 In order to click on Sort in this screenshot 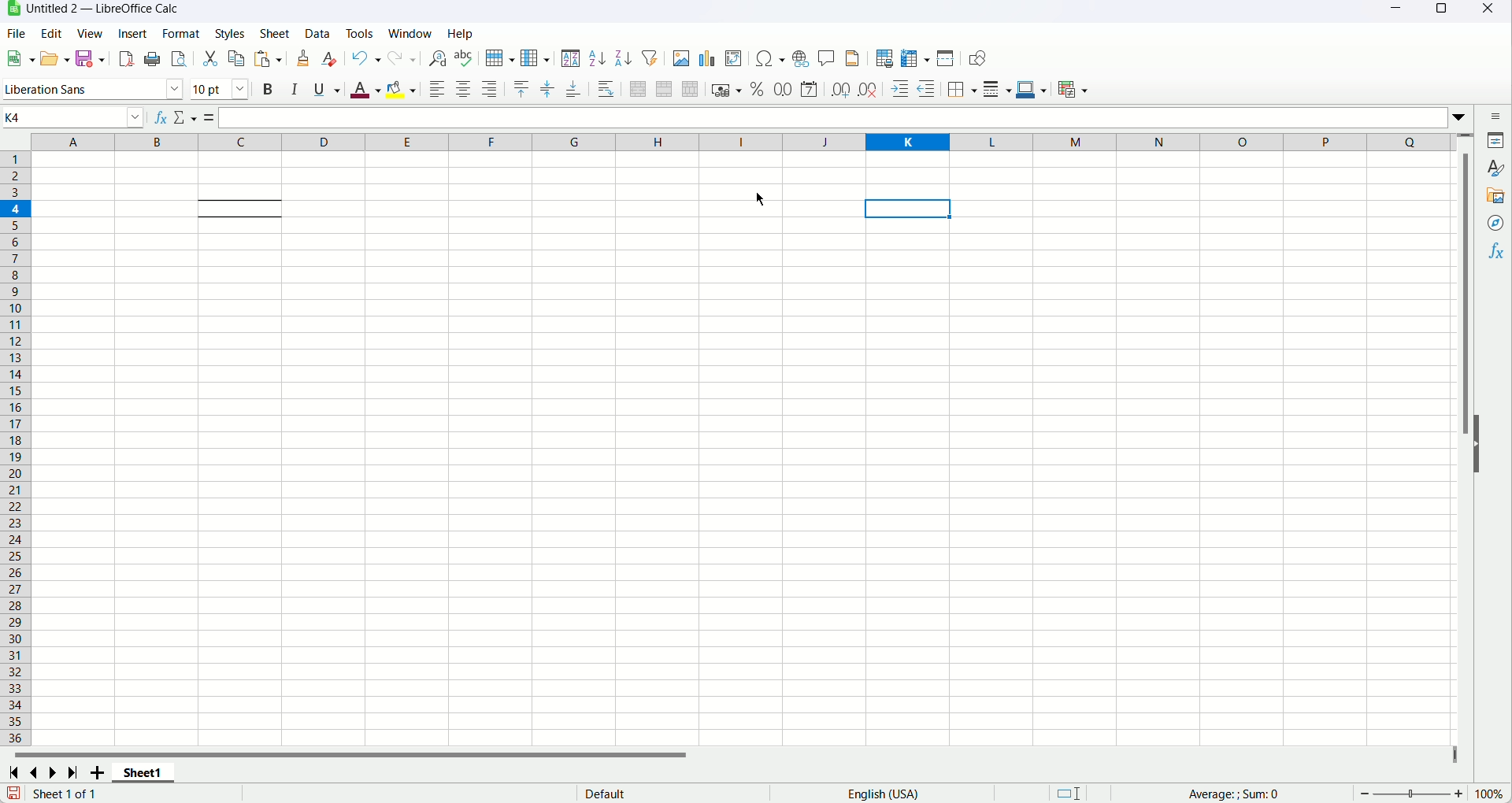, I will do `click(571, 58)`.